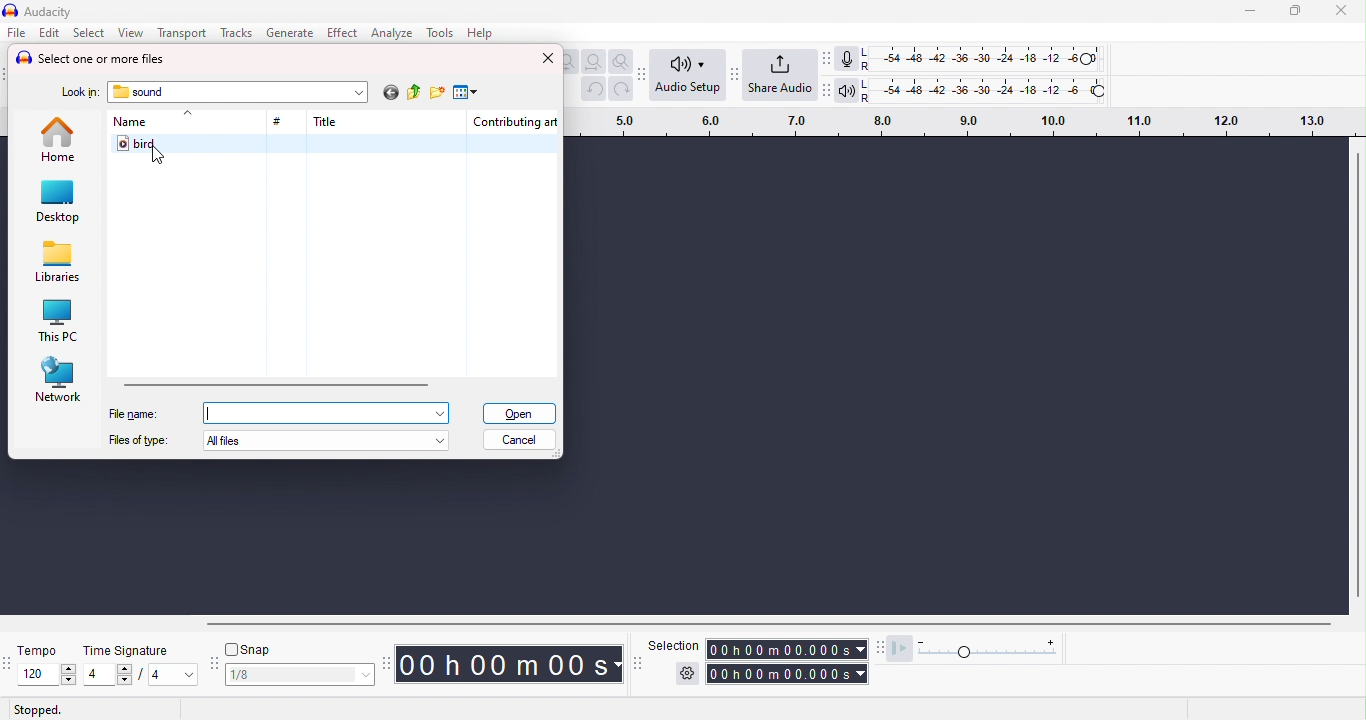  Describe the element at coordinates (186, 114) in the screenshot. I see `drop down` at that location.